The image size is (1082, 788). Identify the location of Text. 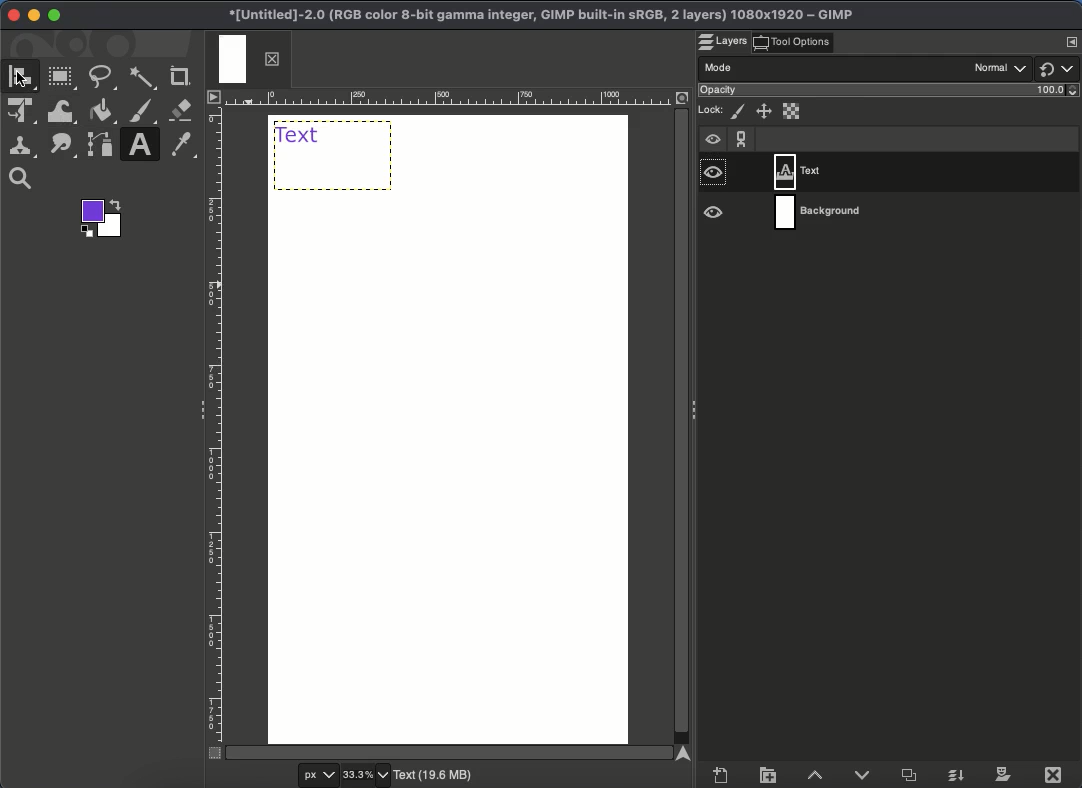
(140, 146).